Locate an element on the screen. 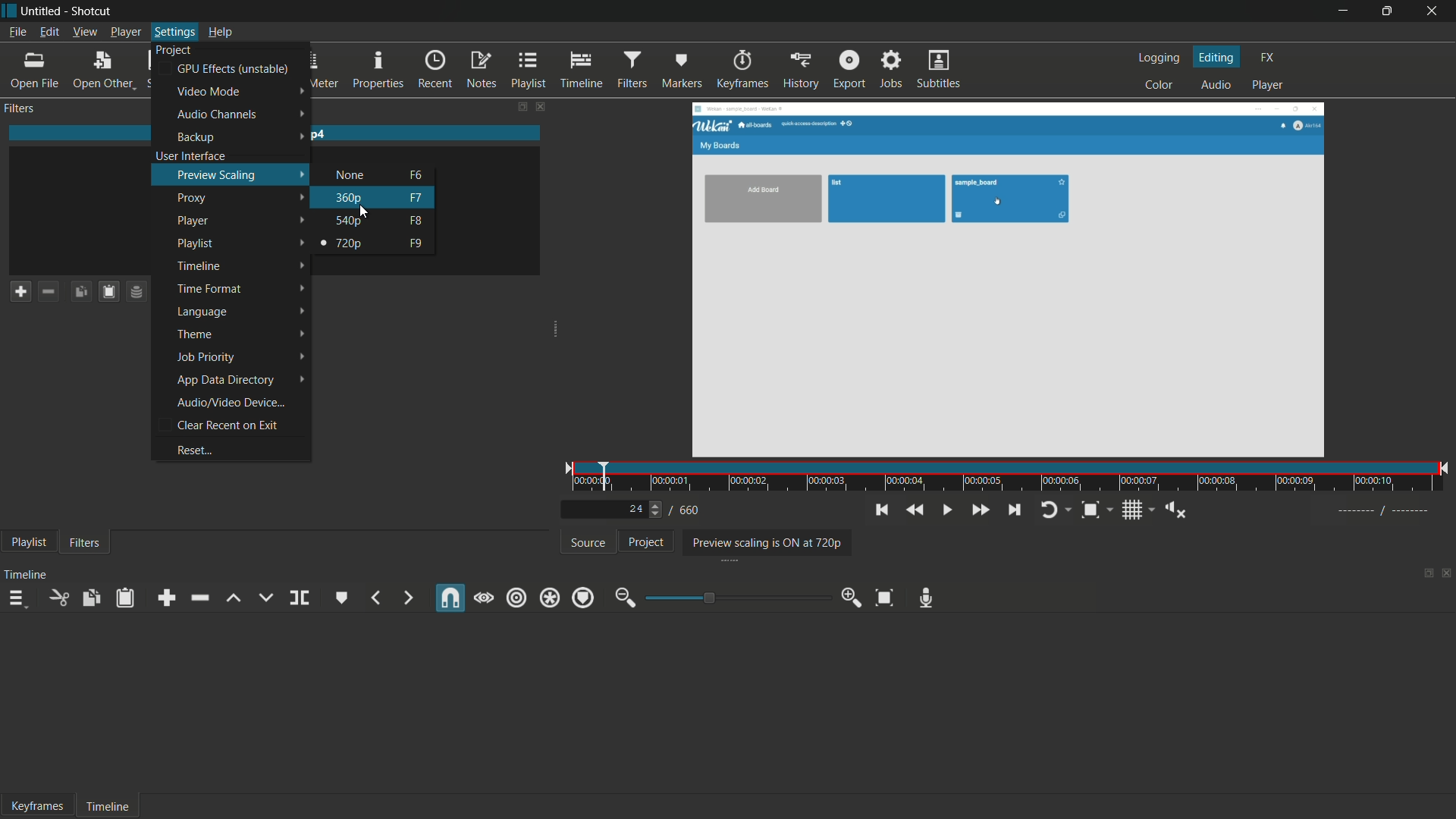  quickly play backward is located at coordinates (916, 510).